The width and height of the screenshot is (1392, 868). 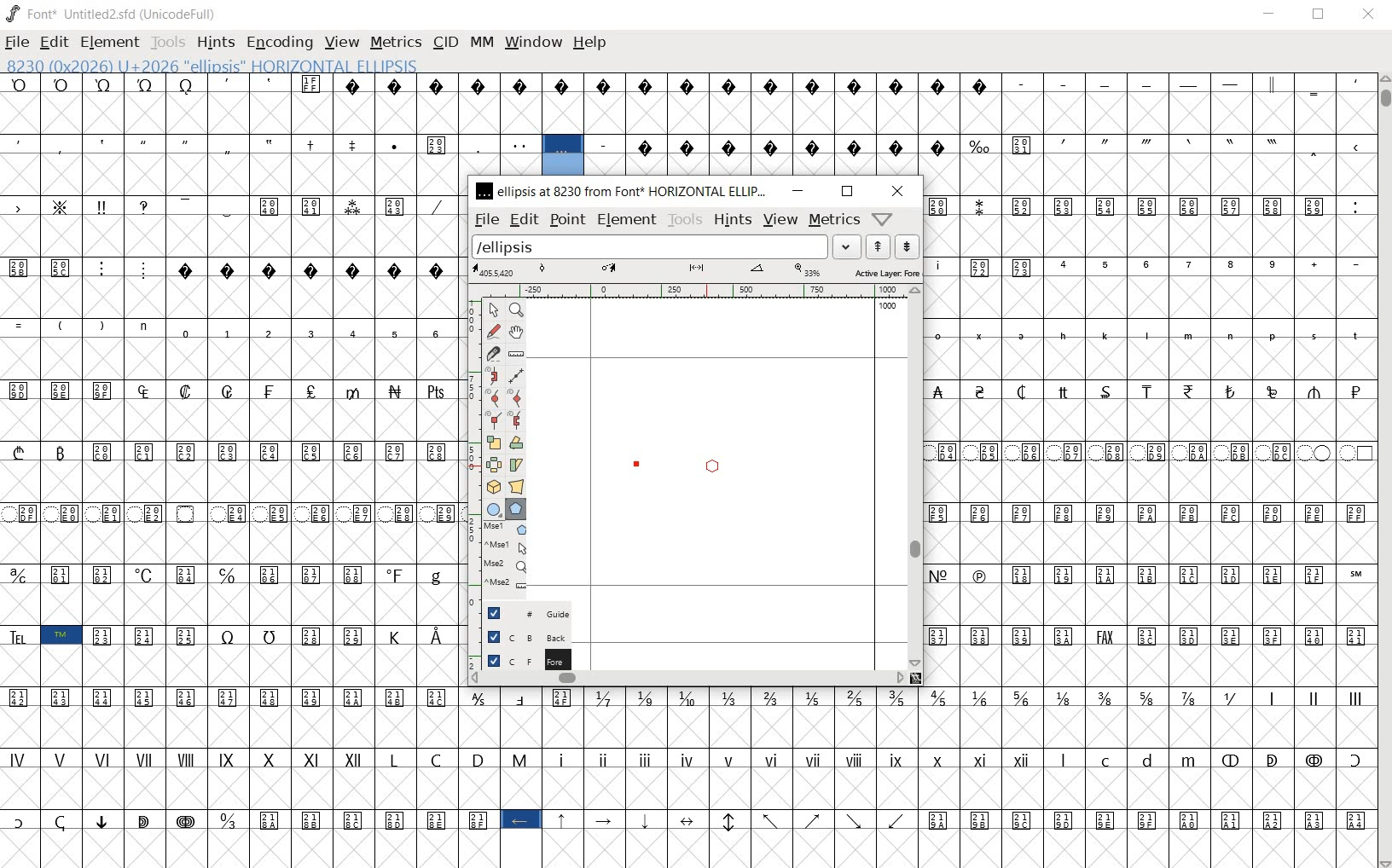 I want to click on RESTORE, so click(x=1319, y=14).